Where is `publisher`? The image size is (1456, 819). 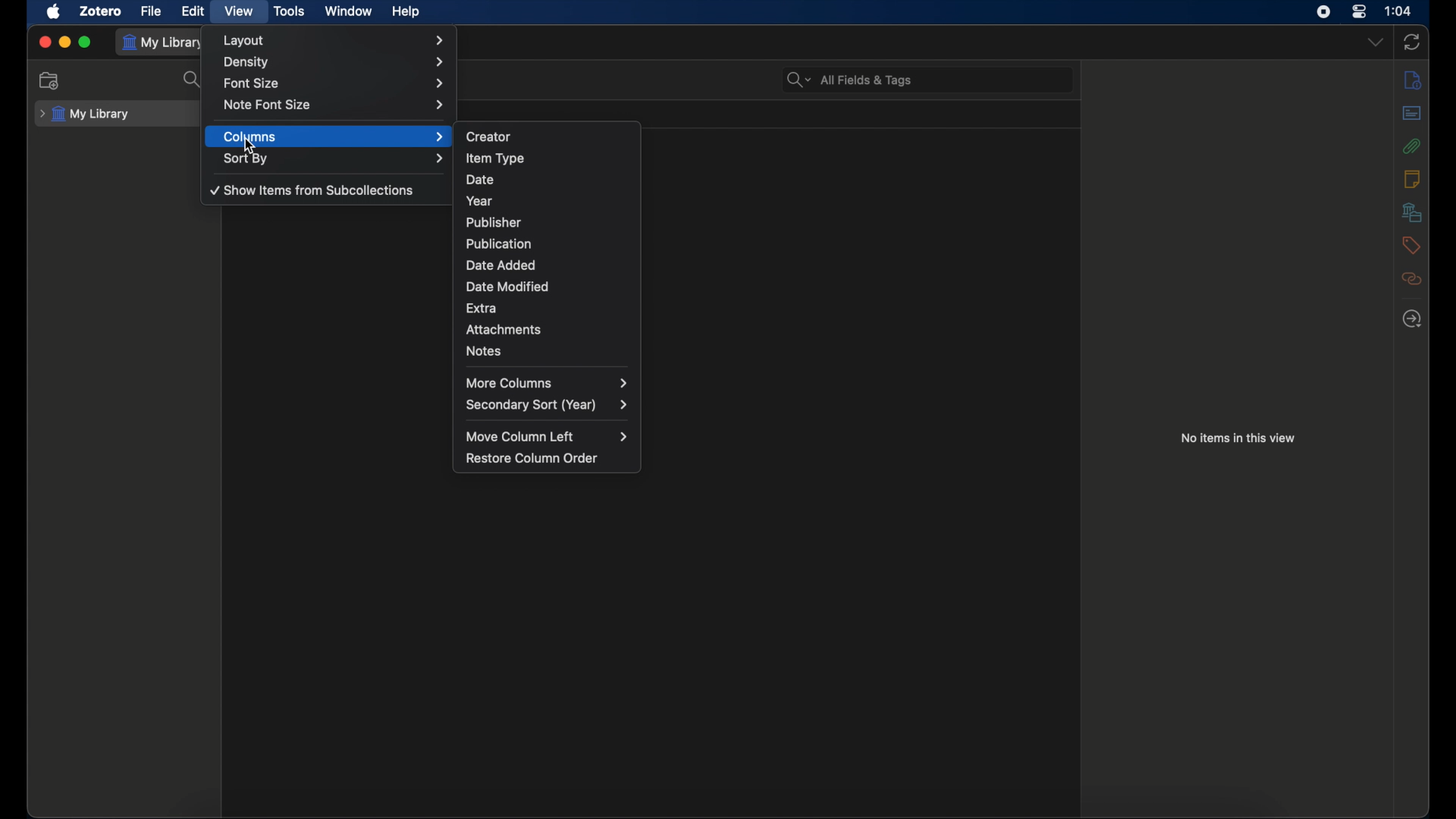 publisher is located at coordinates (493, 222).